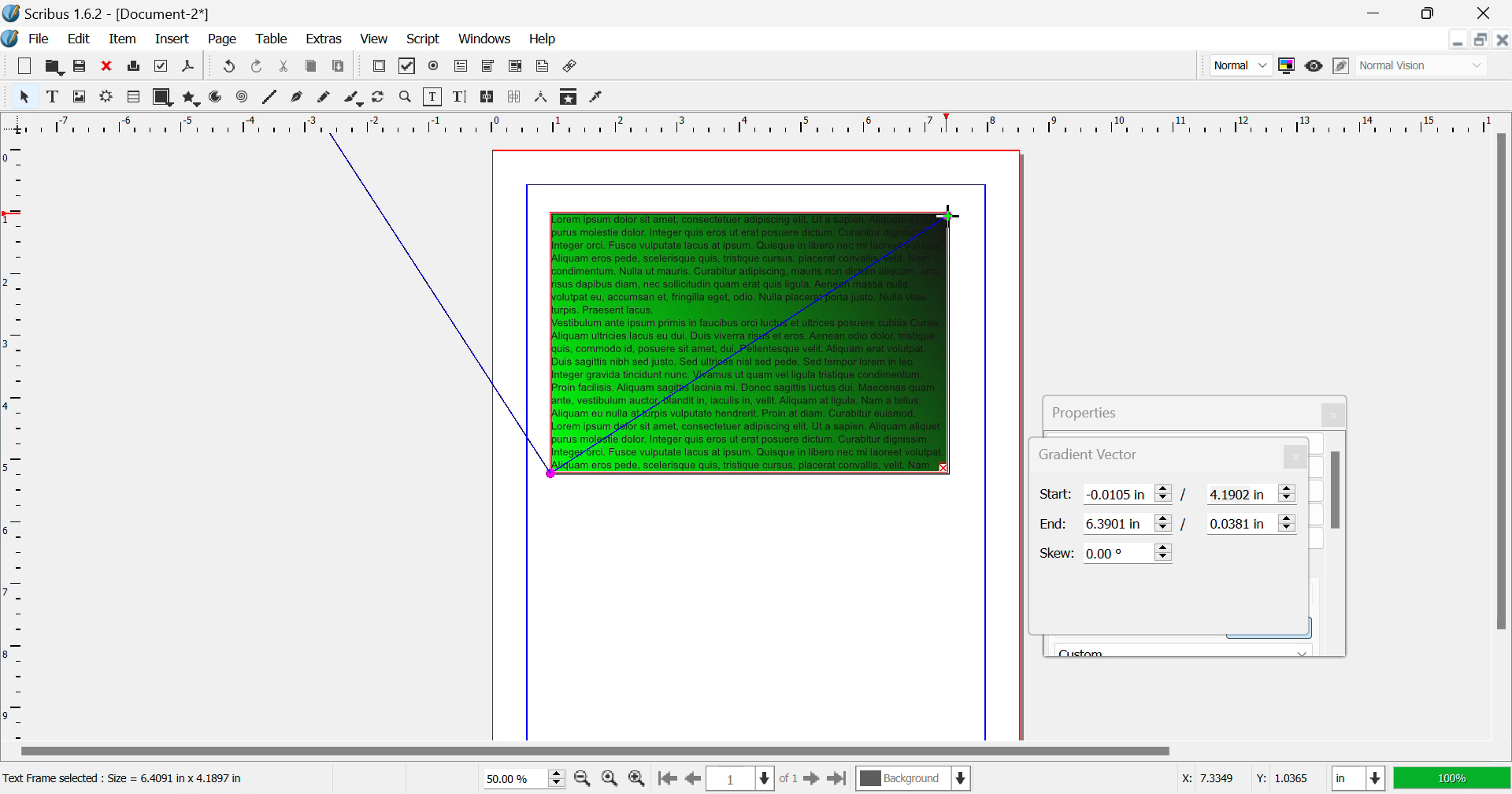  Describe the element at coordinates (135, 66) in the screenshot. I see `Print` at that location.